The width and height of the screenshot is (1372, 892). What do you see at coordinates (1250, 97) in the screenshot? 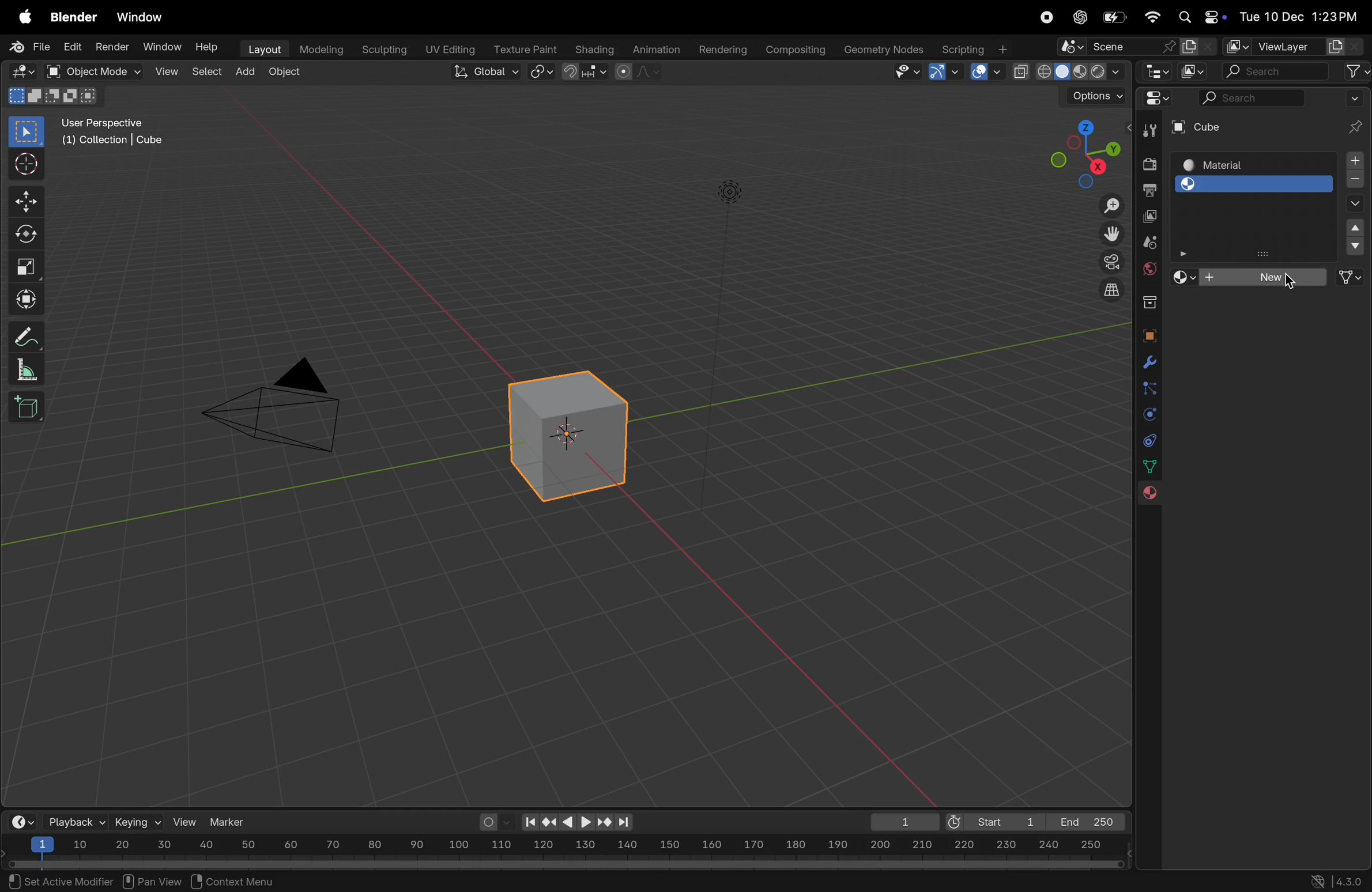
I see `Search` at bounding box center [1250, 97].